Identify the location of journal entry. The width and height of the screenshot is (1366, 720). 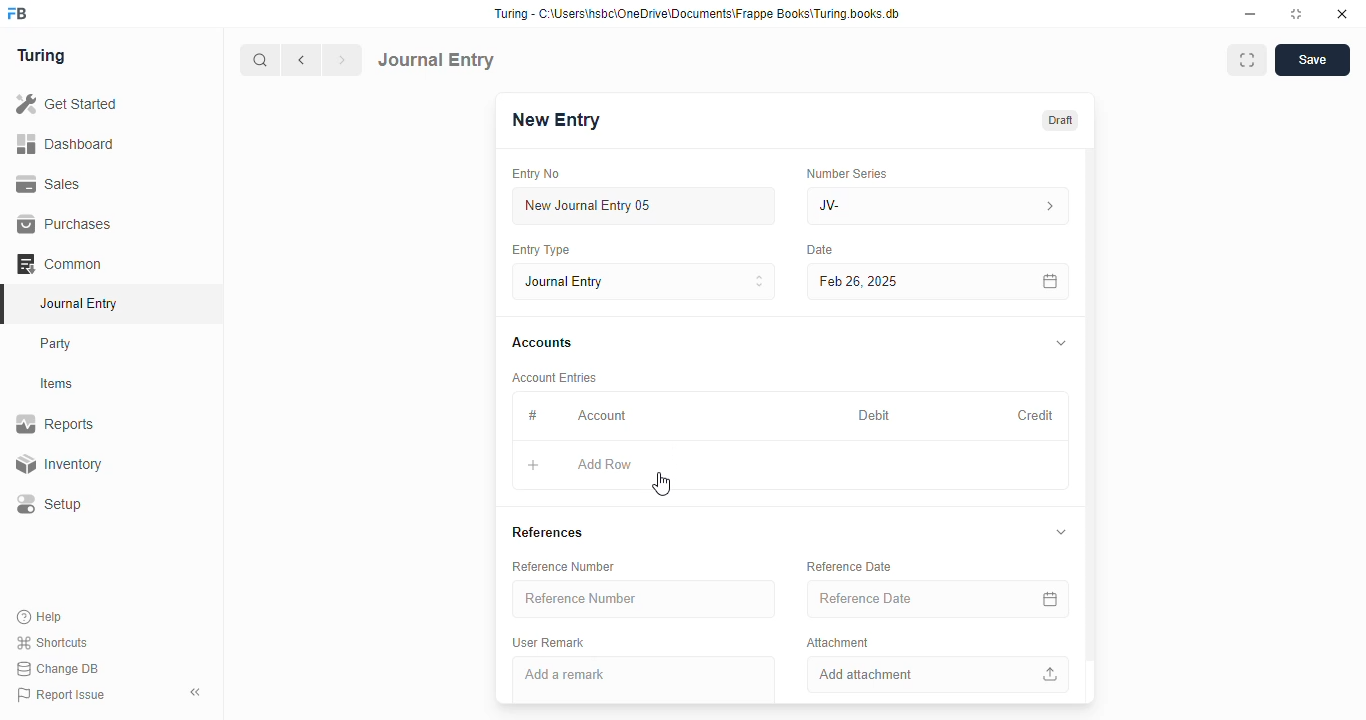
(645, 281).